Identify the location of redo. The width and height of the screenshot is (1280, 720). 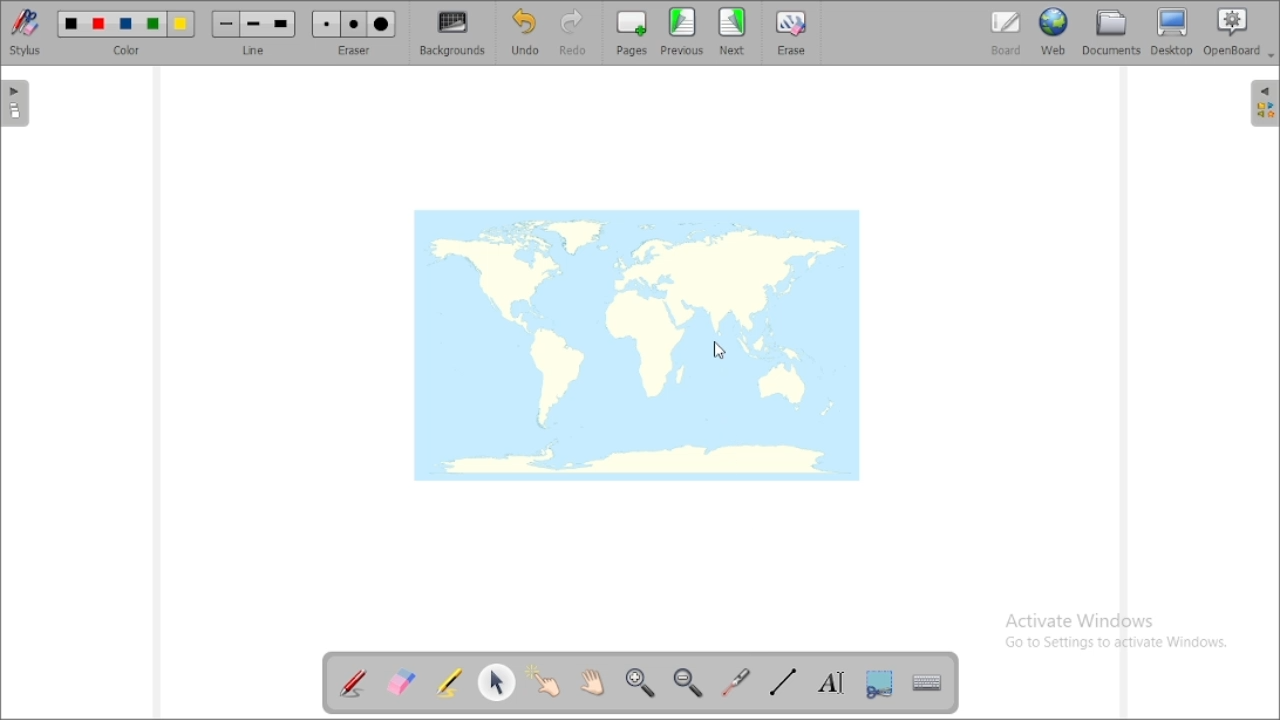
(574, 33).